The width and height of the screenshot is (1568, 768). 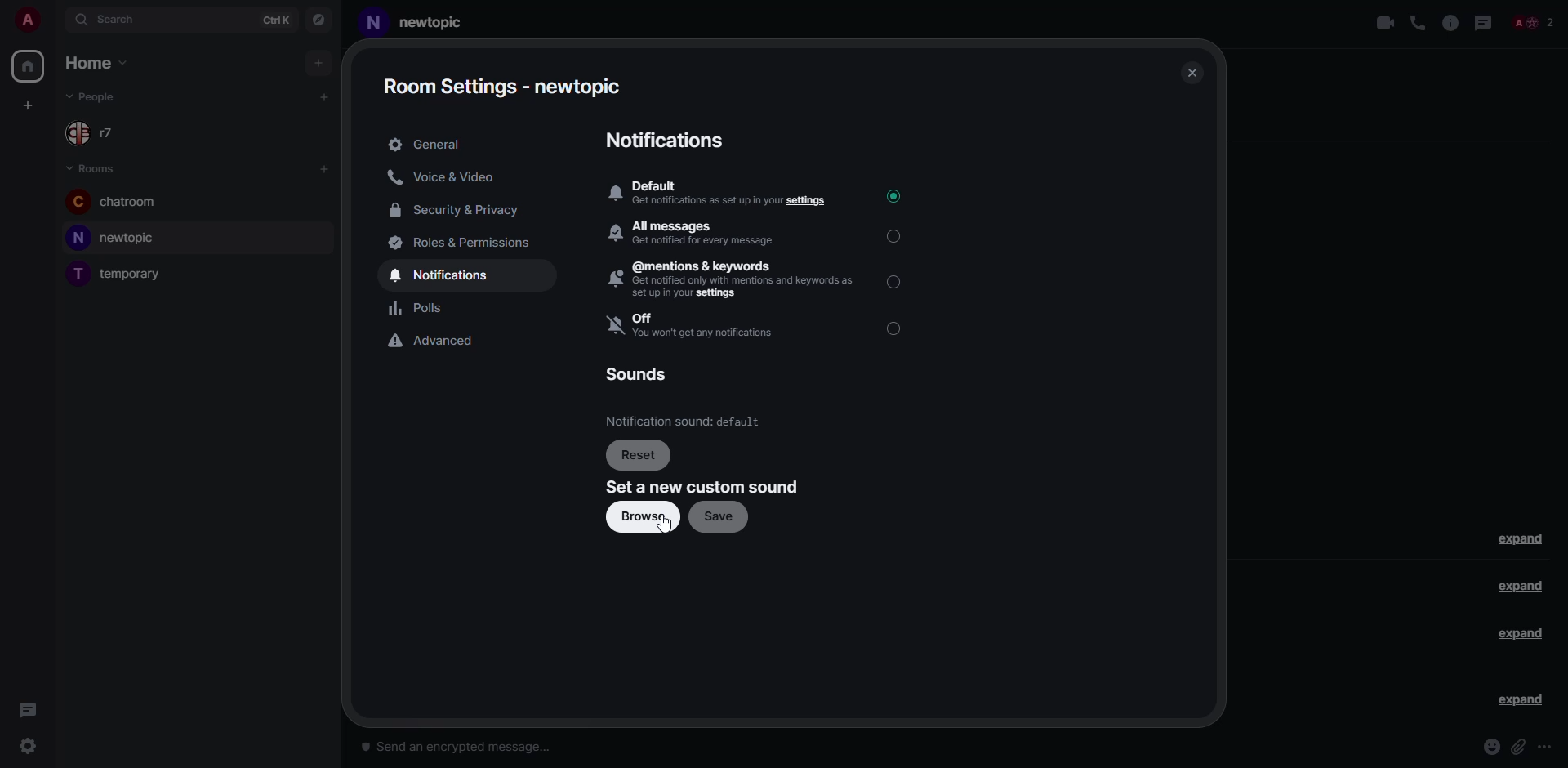 What do you see at coordinates (1522, 538) in the screenshot?
I see `expand` at bounding box center [1522, 538].